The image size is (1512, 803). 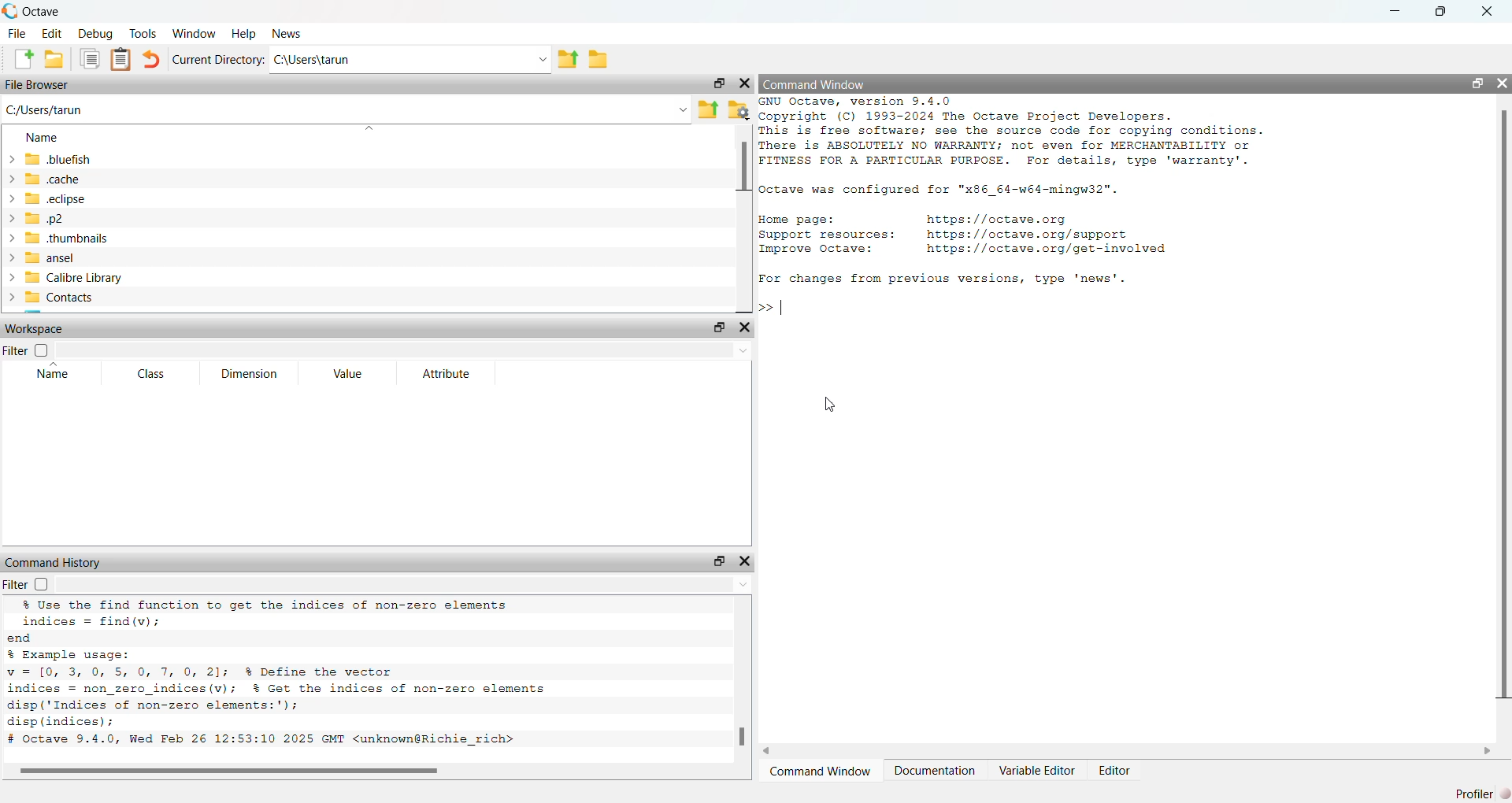 I want to click on eclipse, so click(x=50, y=199).